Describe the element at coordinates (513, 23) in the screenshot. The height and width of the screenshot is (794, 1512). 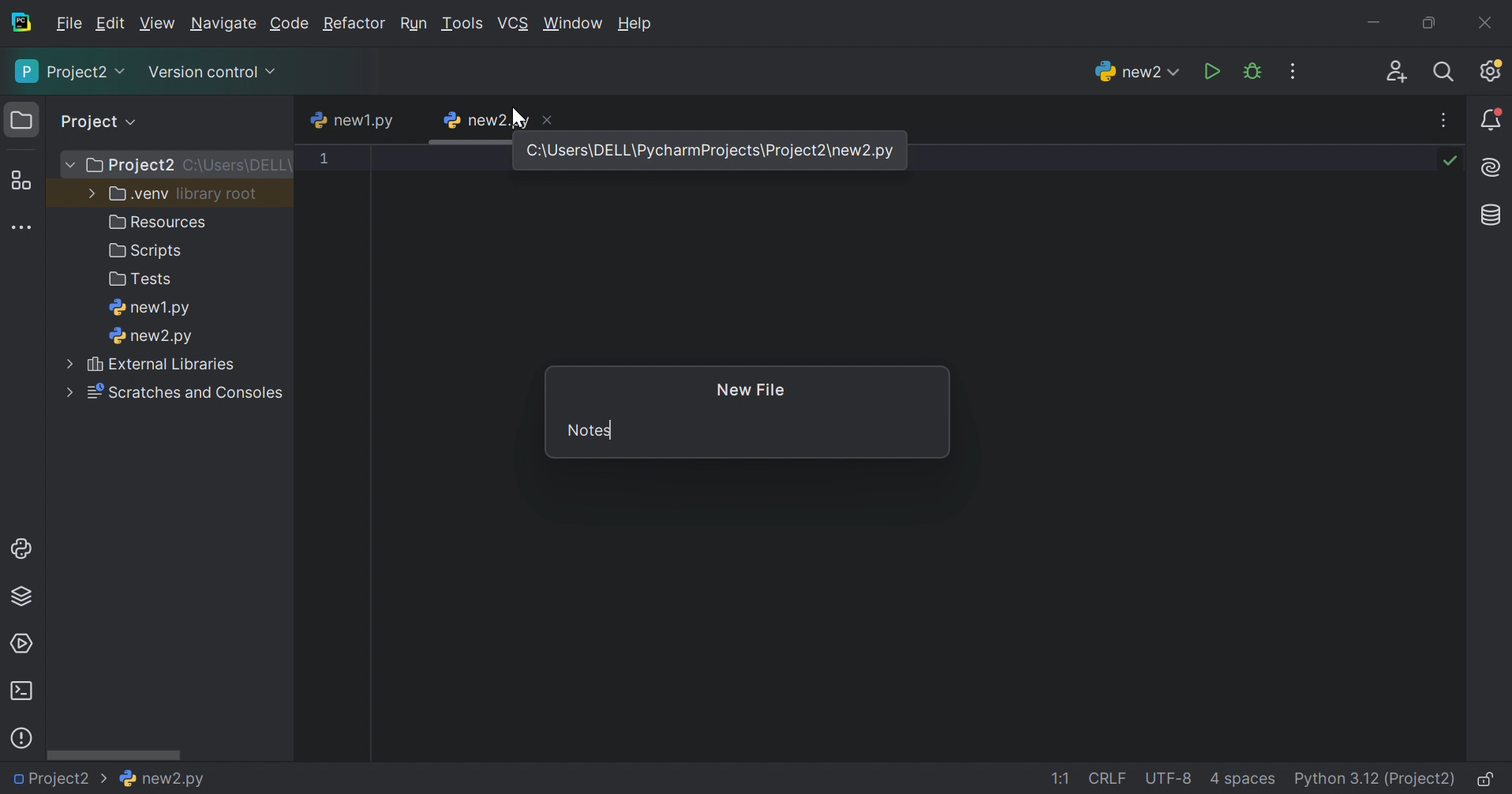
I see `VCS` at that location.